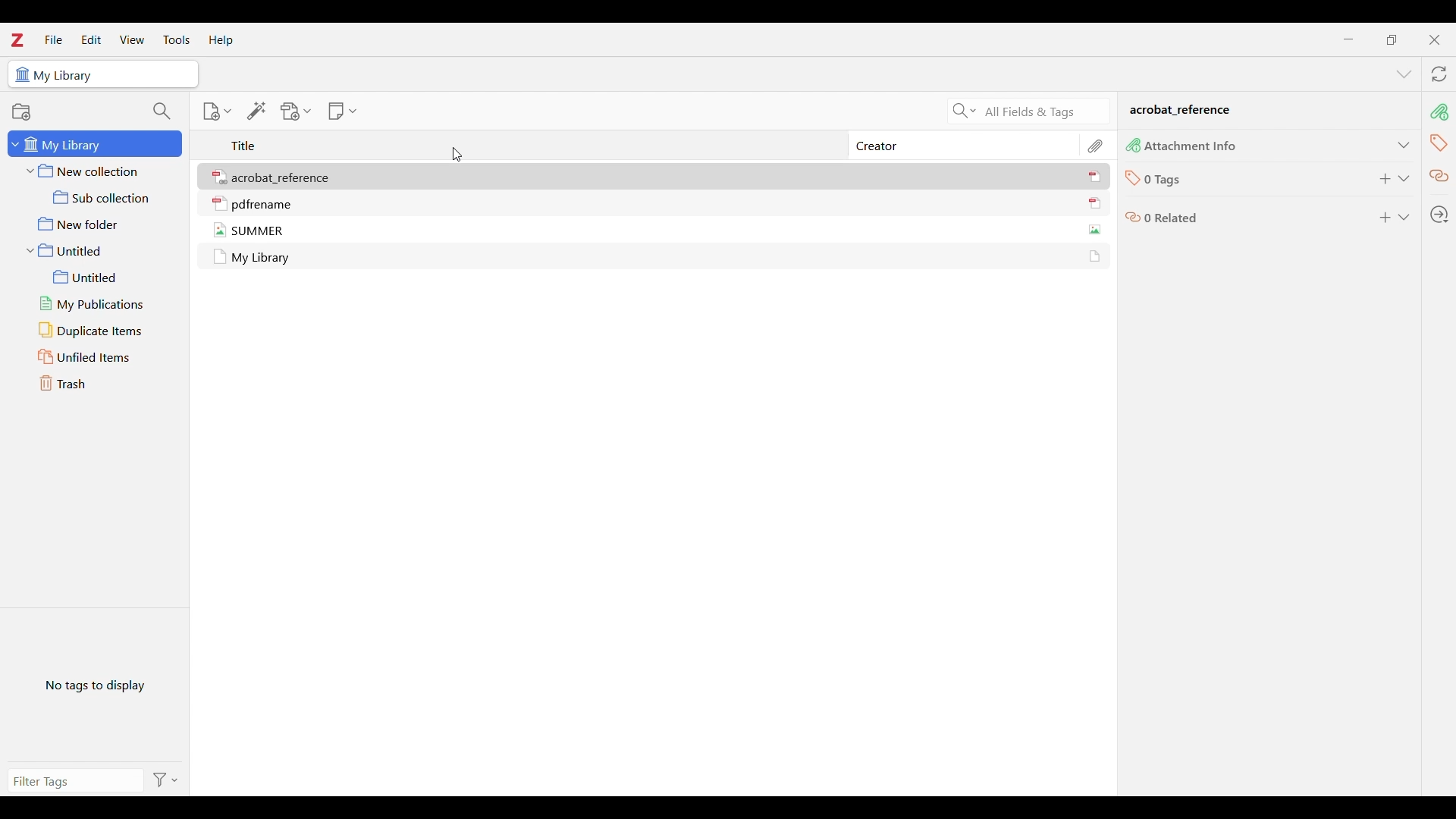  I want to click on New folder, so click(98, 224).